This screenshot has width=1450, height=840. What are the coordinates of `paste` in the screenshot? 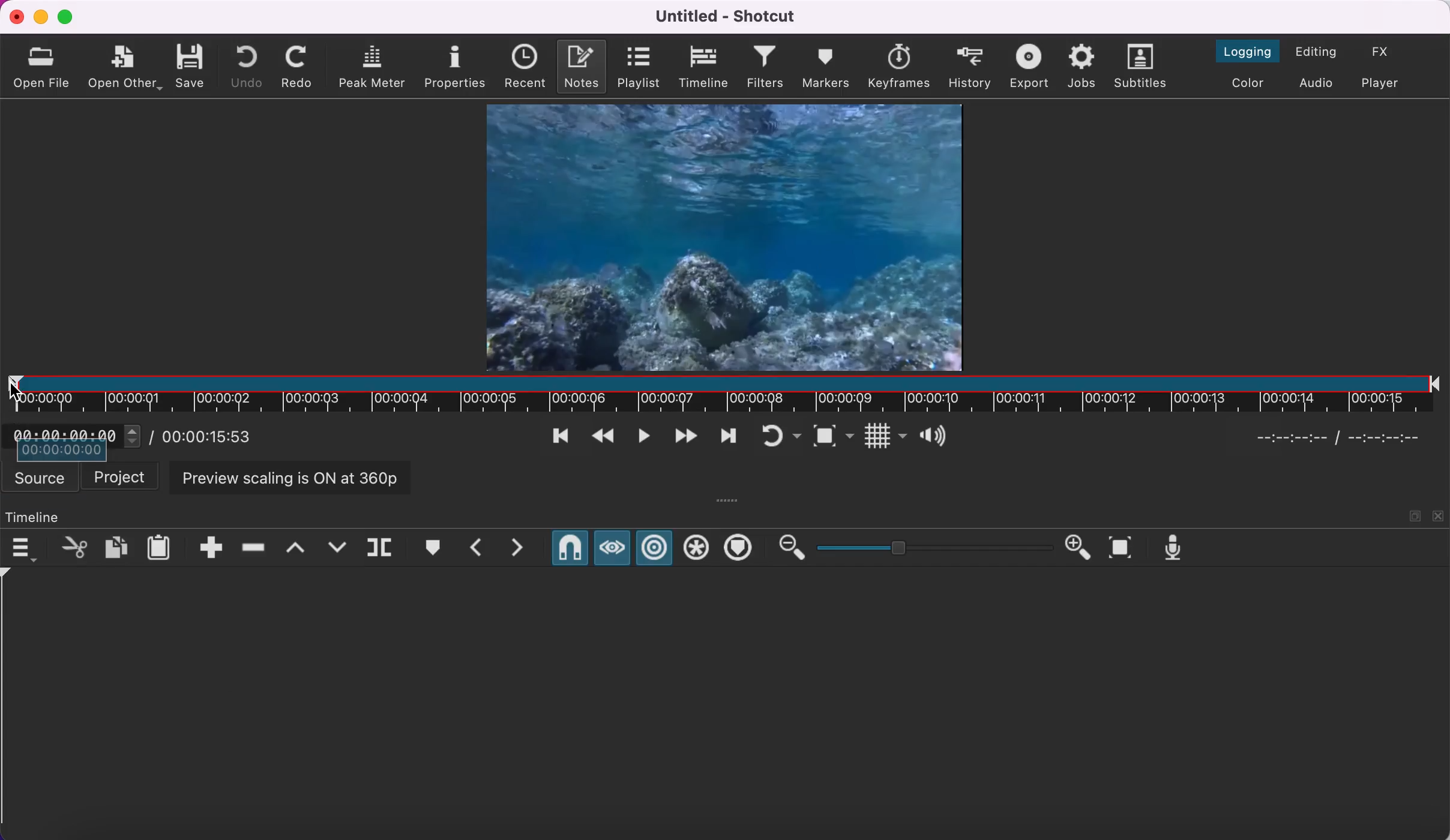 It's located at (161, 547).